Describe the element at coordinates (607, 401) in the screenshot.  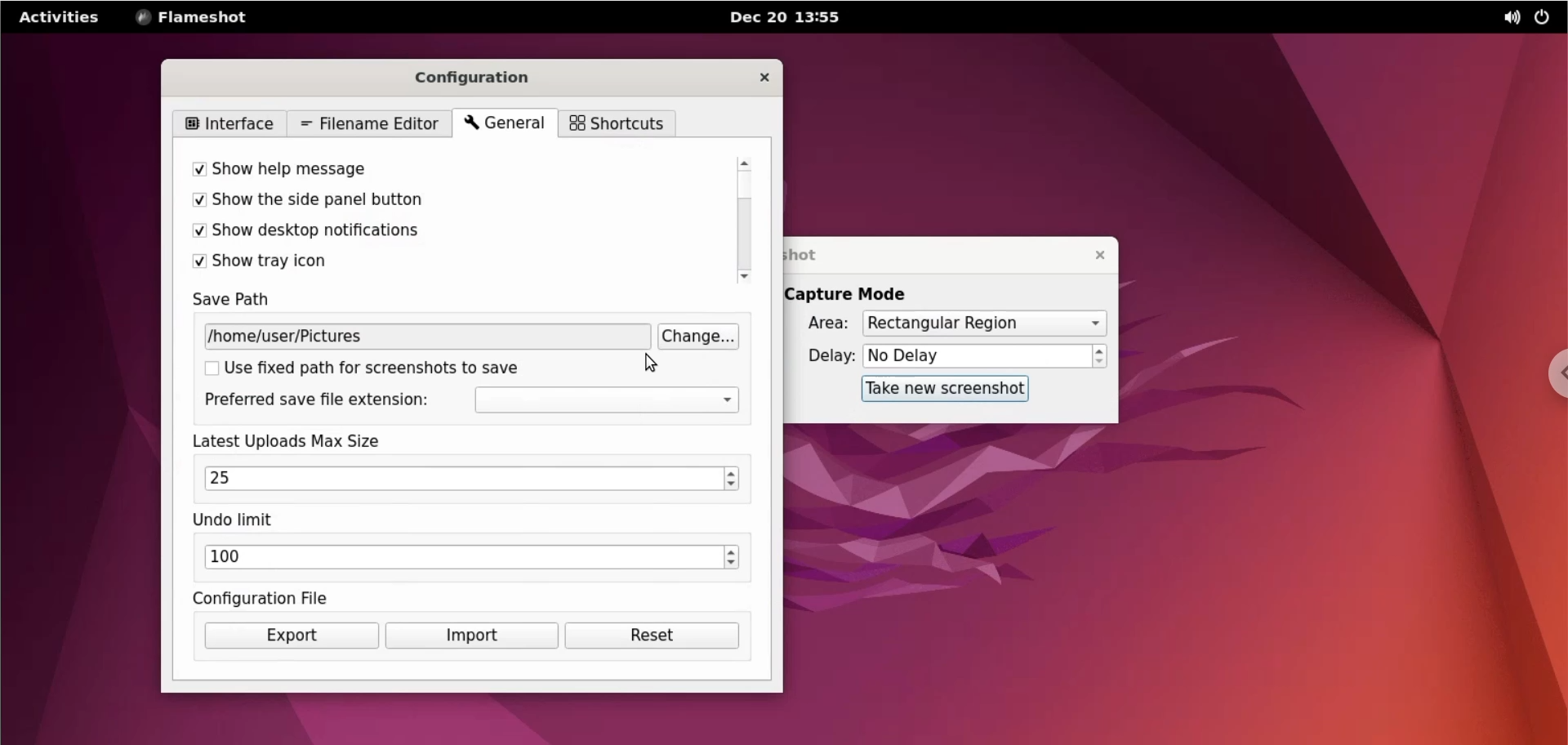
I see `extensions options` at that location.